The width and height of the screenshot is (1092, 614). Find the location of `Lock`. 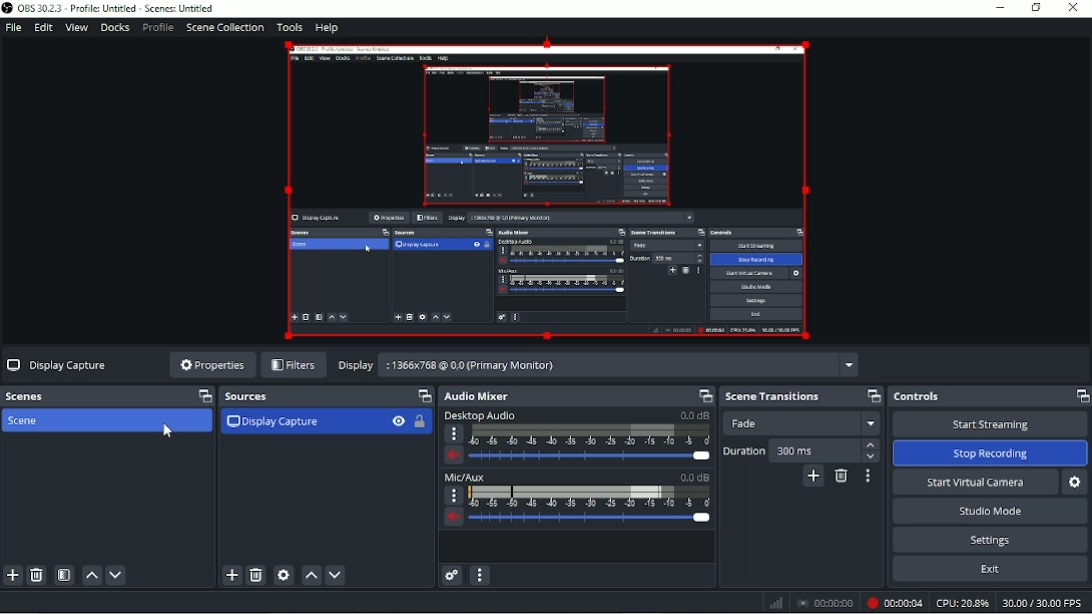

Lock is located at coordinates (423, 423).